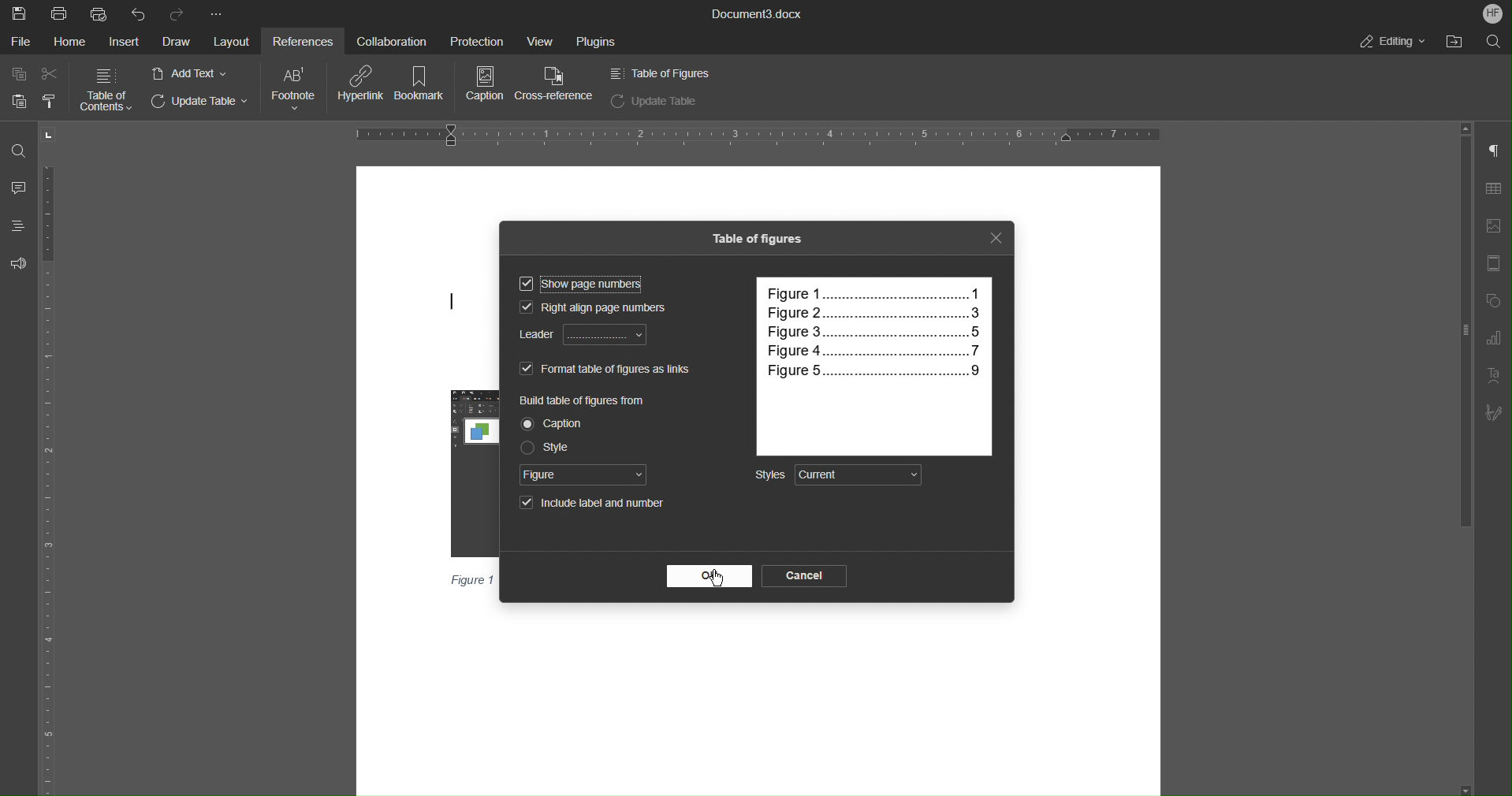 This screenshot has height=796, width=1512. What do you see at coordinates (483, 85) in the screenshot?
I see `Caption` at bounding box center [483, 85].